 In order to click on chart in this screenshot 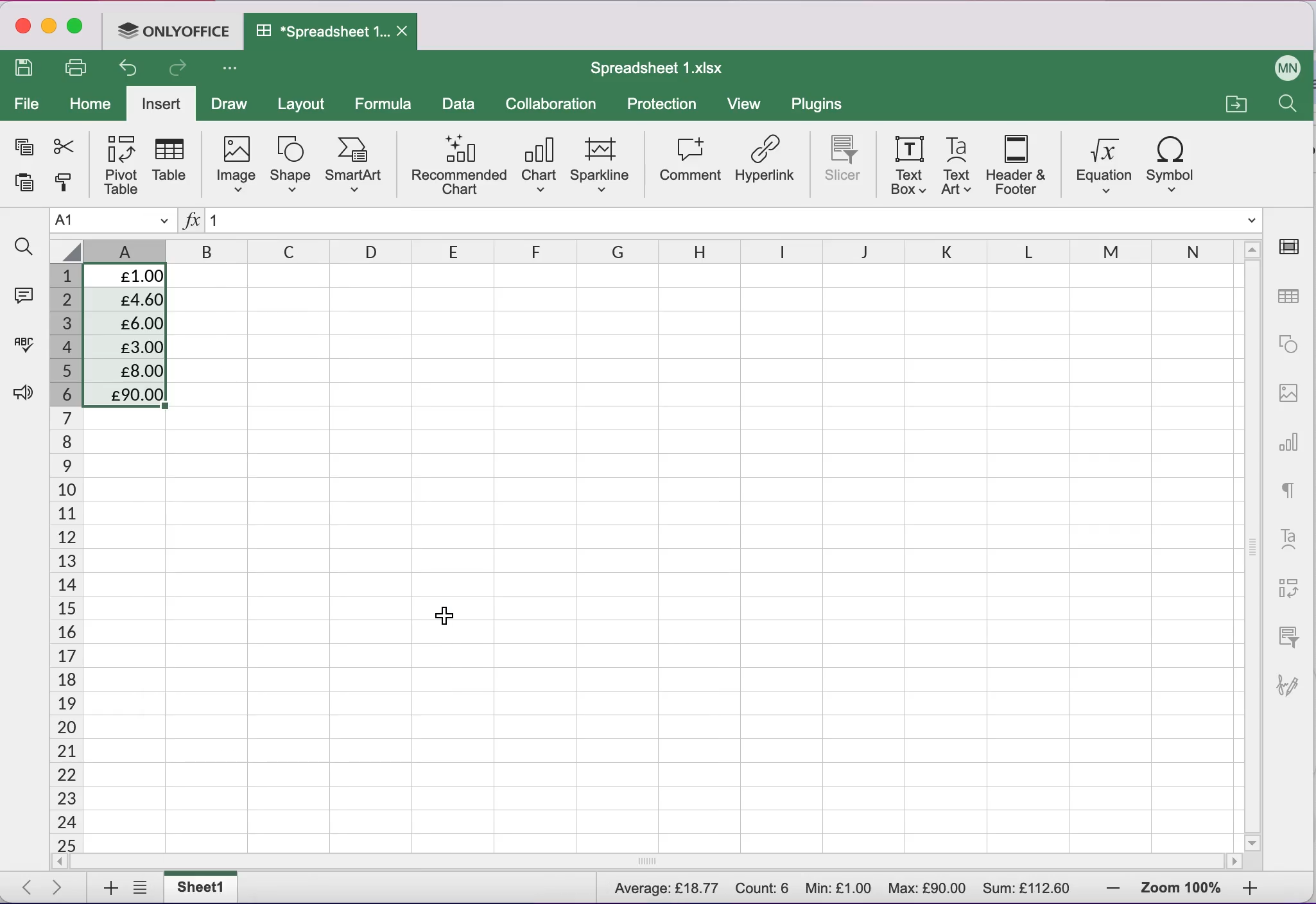, I will do `click(539, 167)`.